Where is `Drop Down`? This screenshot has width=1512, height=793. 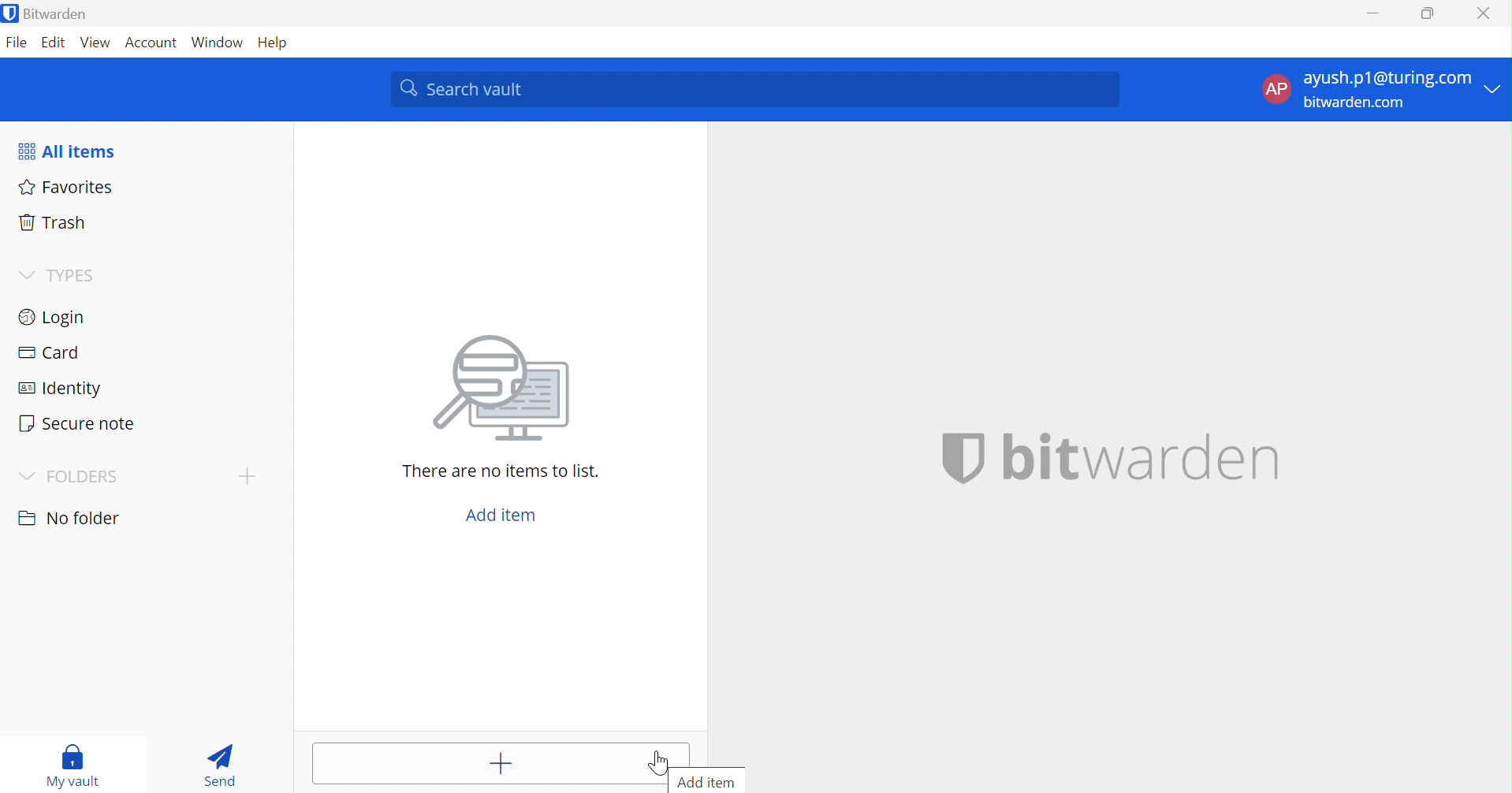
Drop Down is located at coordinates (28, 276).